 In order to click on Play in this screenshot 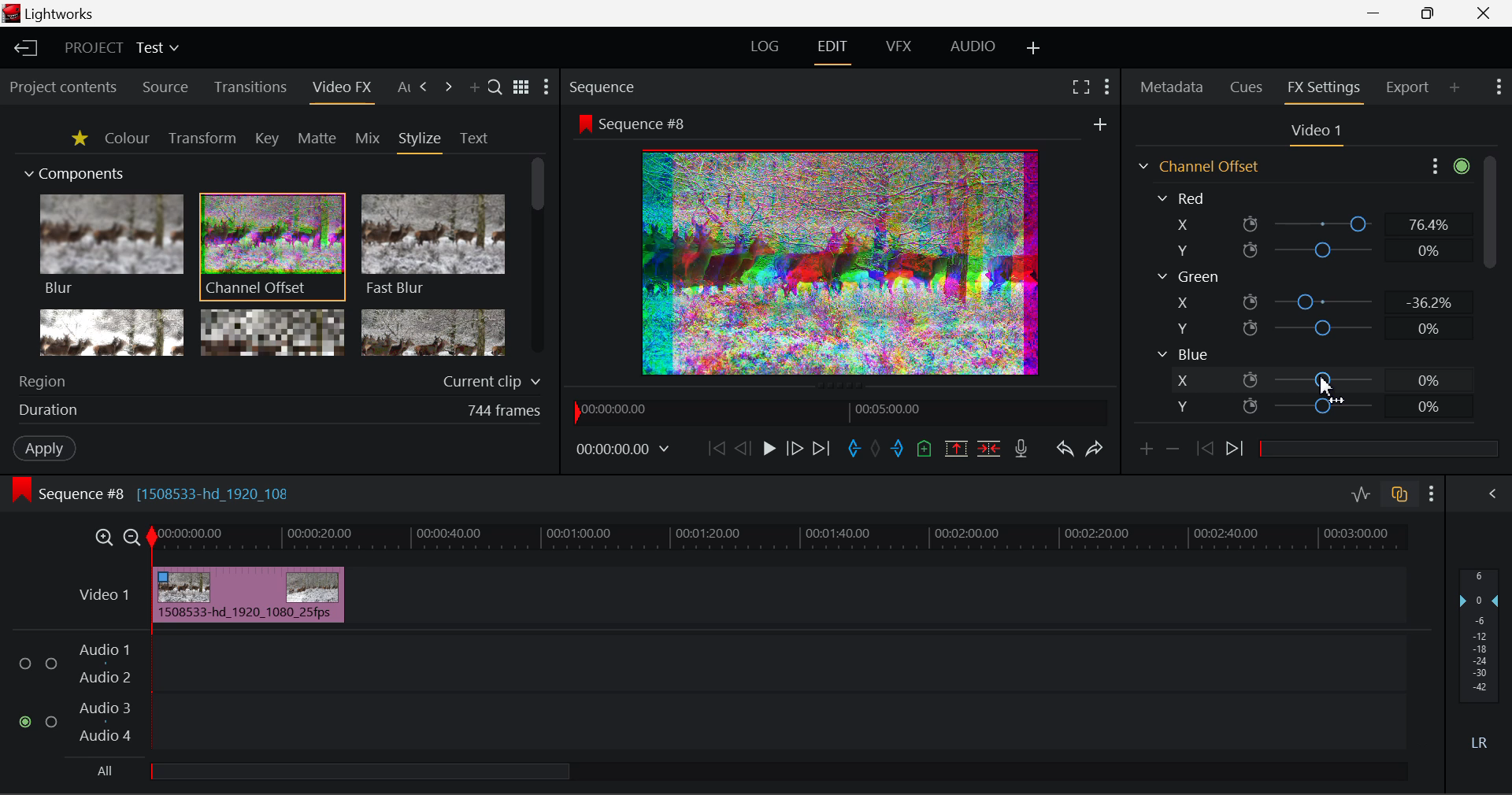, I will do `click(767, 449)`.